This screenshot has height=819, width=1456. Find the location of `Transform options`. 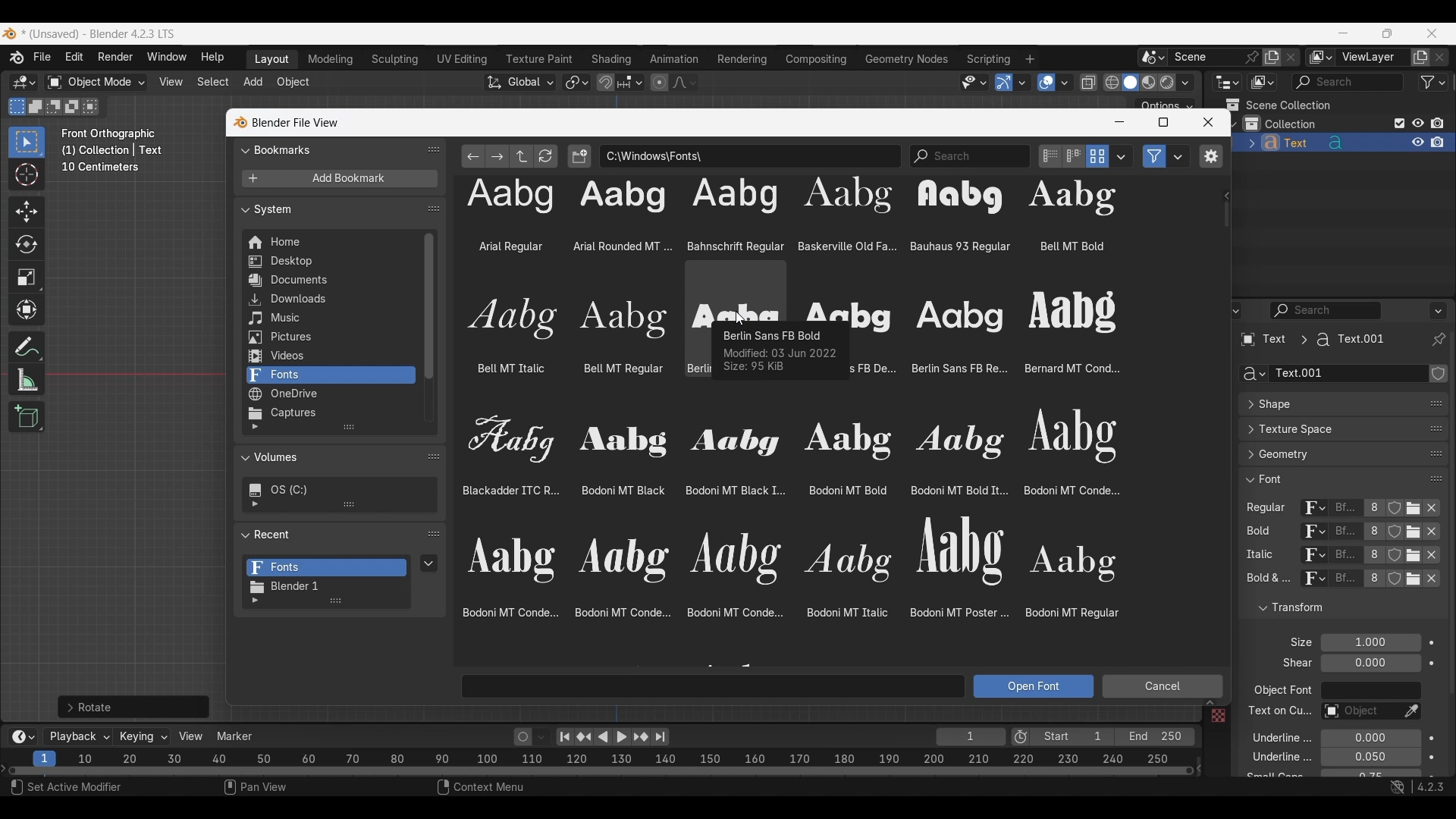

Transform options is located at coordinates (1165, 104).